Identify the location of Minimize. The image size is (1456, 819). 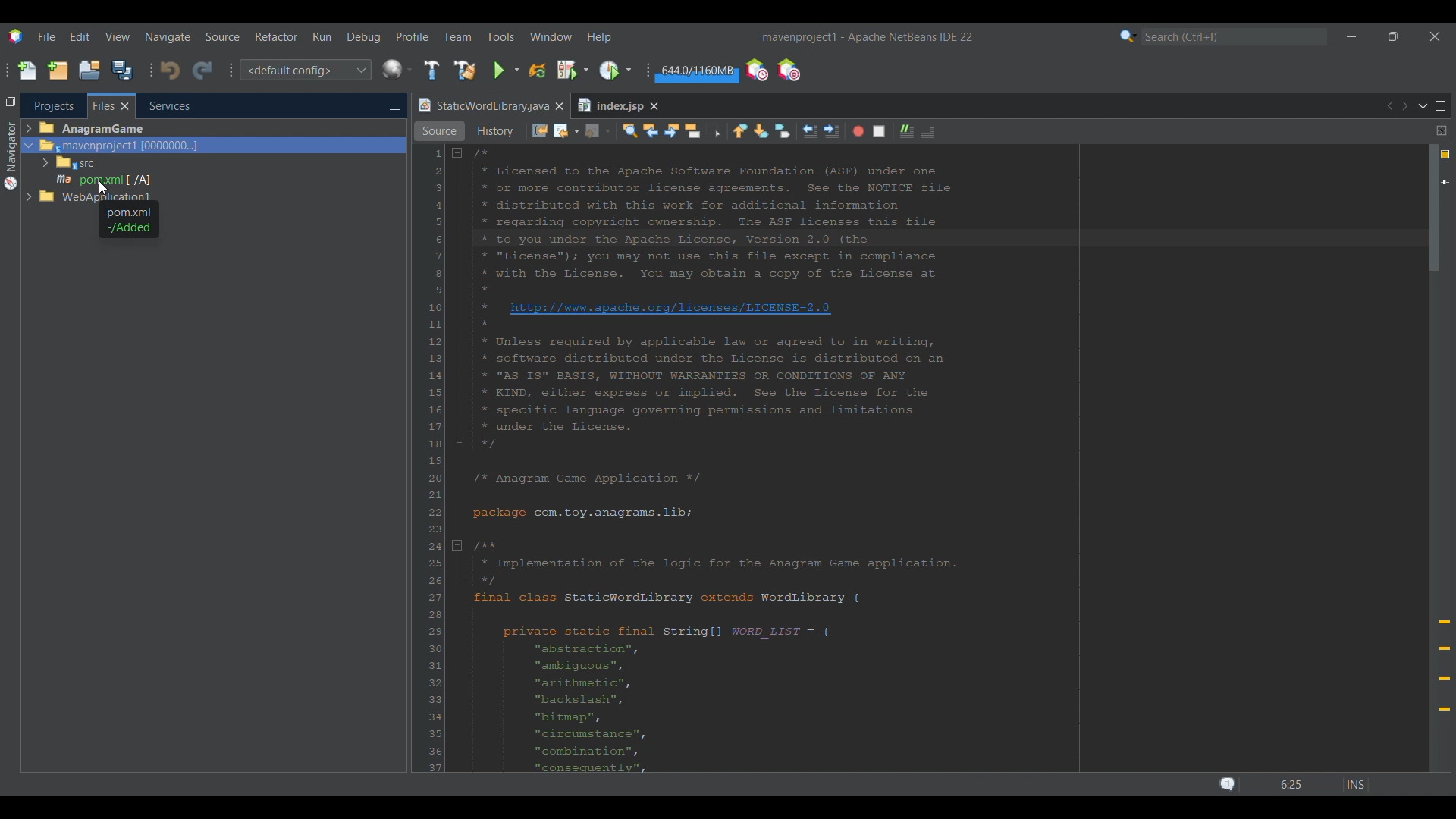
(1351, 37).